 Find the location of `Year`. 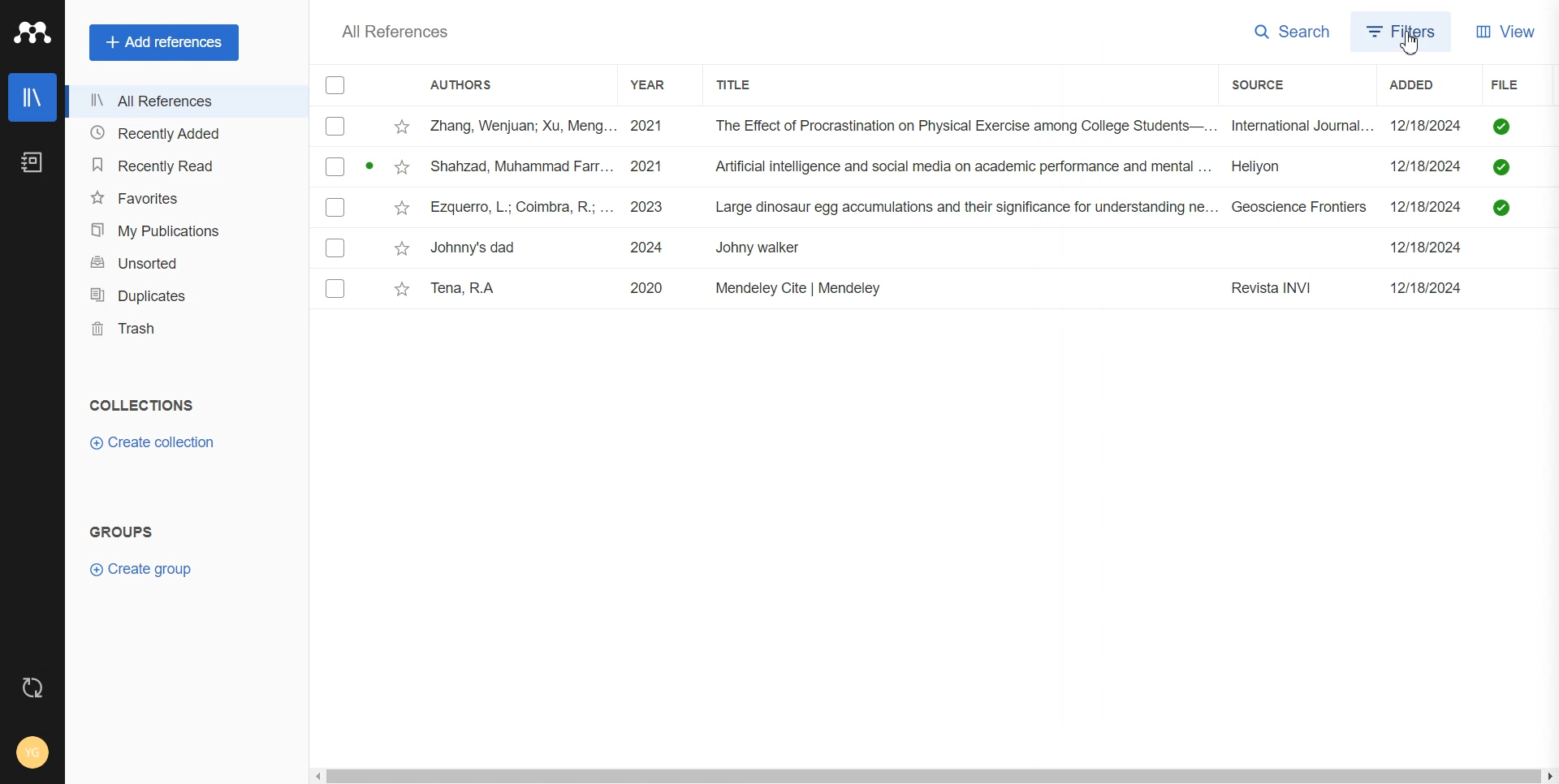

Year is located at coordinates (661, 85).